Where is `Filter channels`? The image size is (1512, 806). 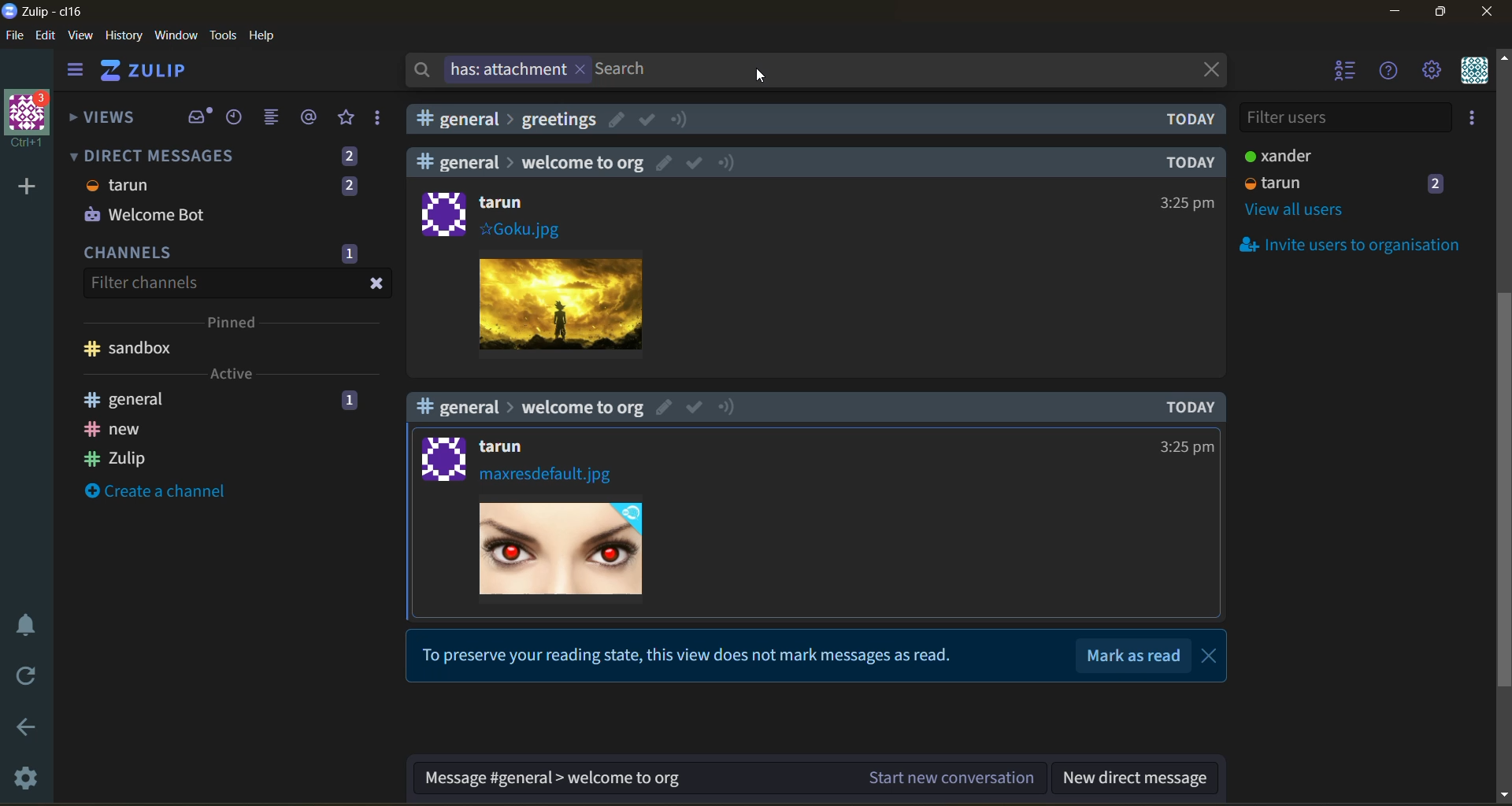
Filter channels is located at coordinates (143, 283).